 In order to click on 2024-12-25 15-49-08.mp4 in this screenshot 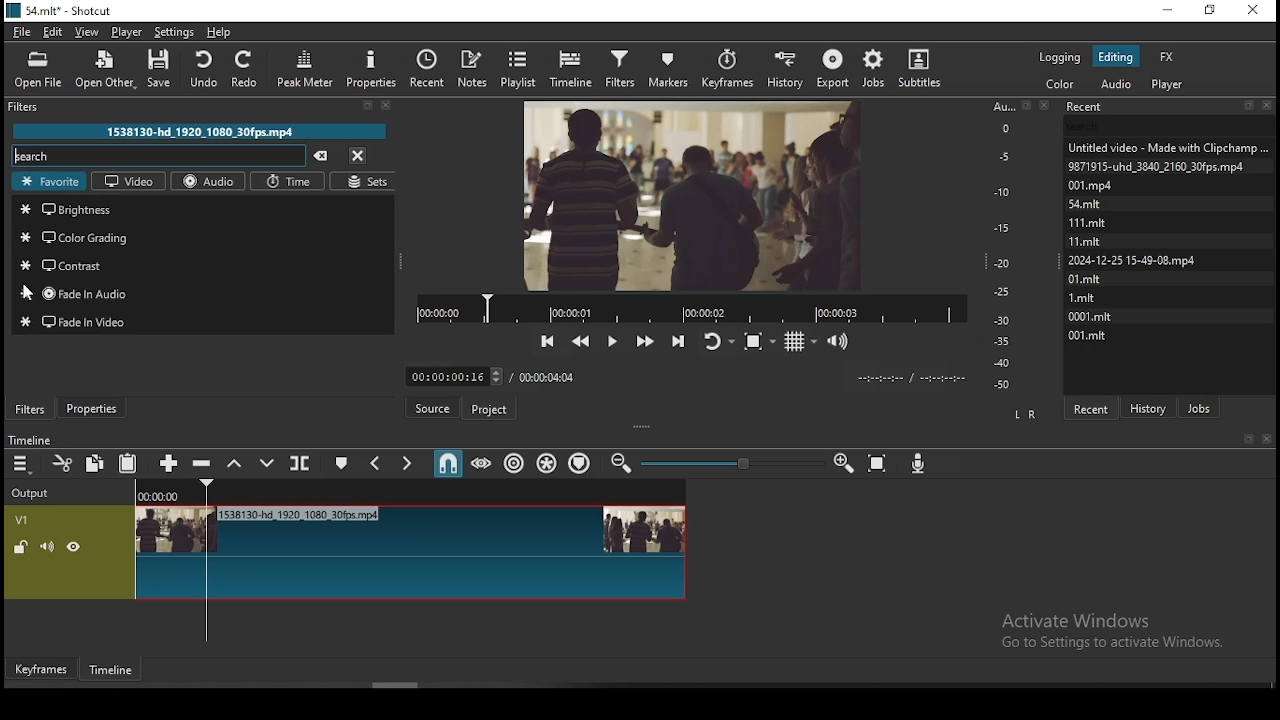, I will do `click(1133, 260)`.